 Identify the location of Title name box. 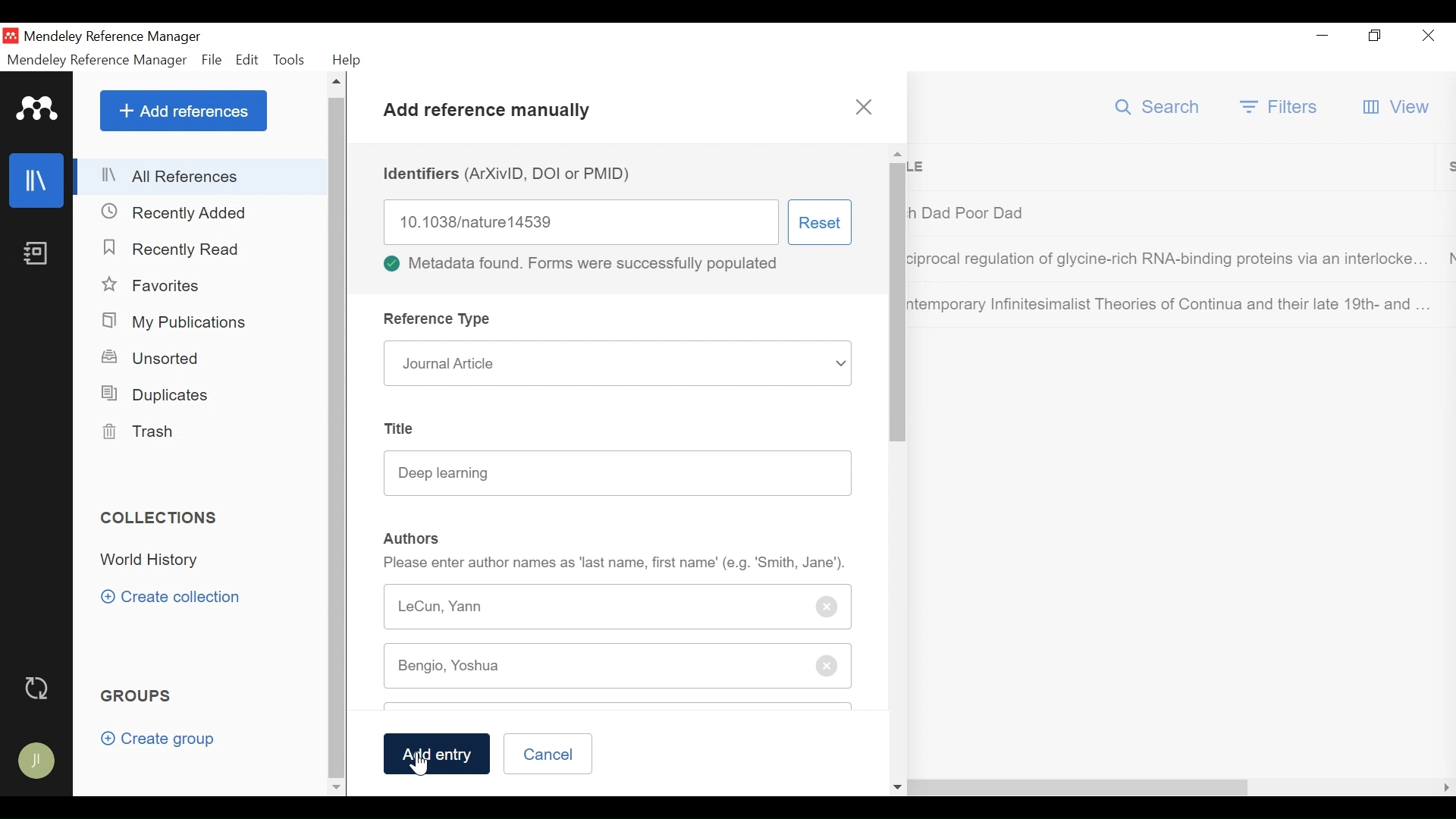
(608, 473).